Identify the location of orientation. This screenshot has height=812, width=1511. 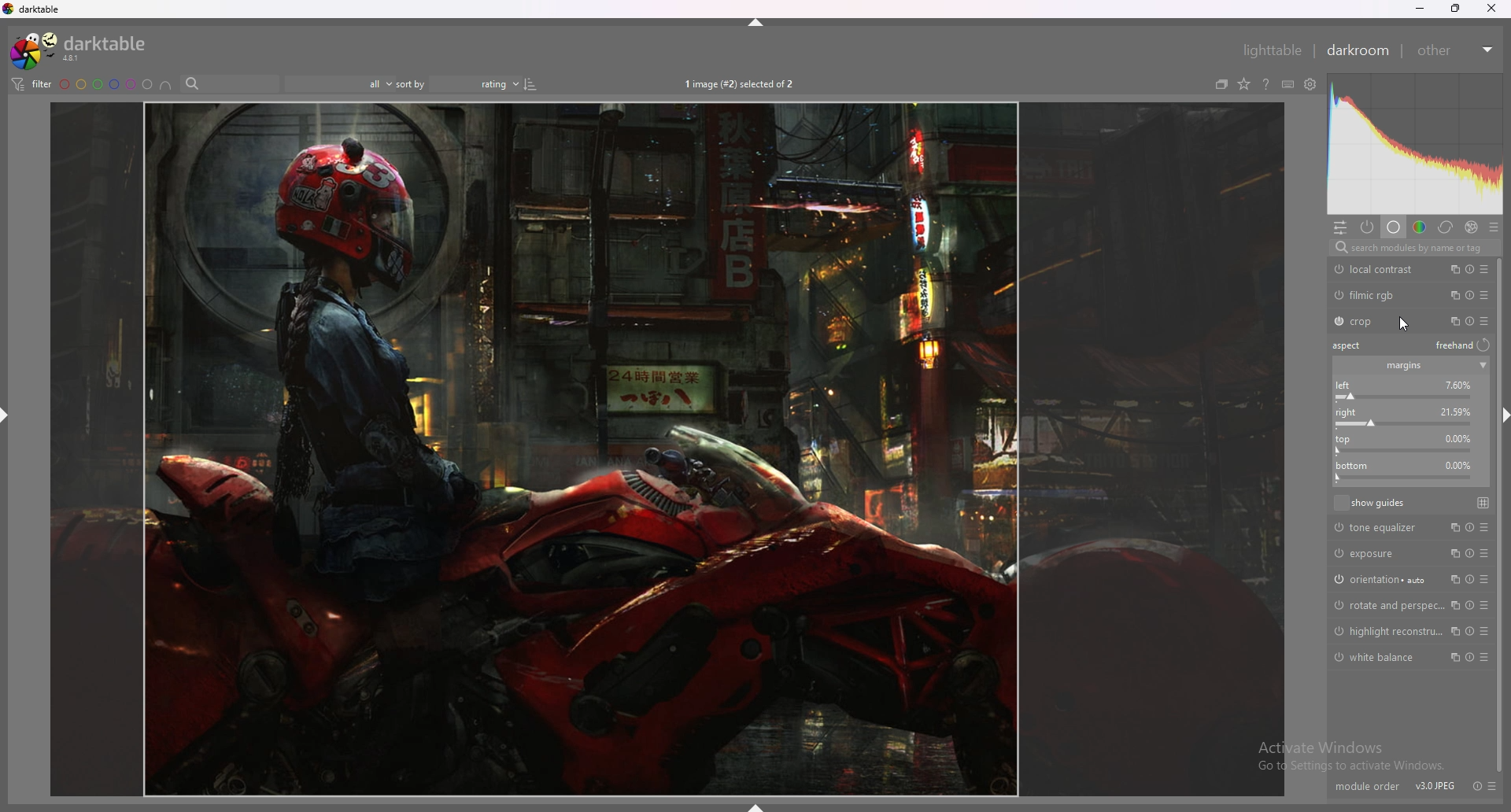
(1380, 578).